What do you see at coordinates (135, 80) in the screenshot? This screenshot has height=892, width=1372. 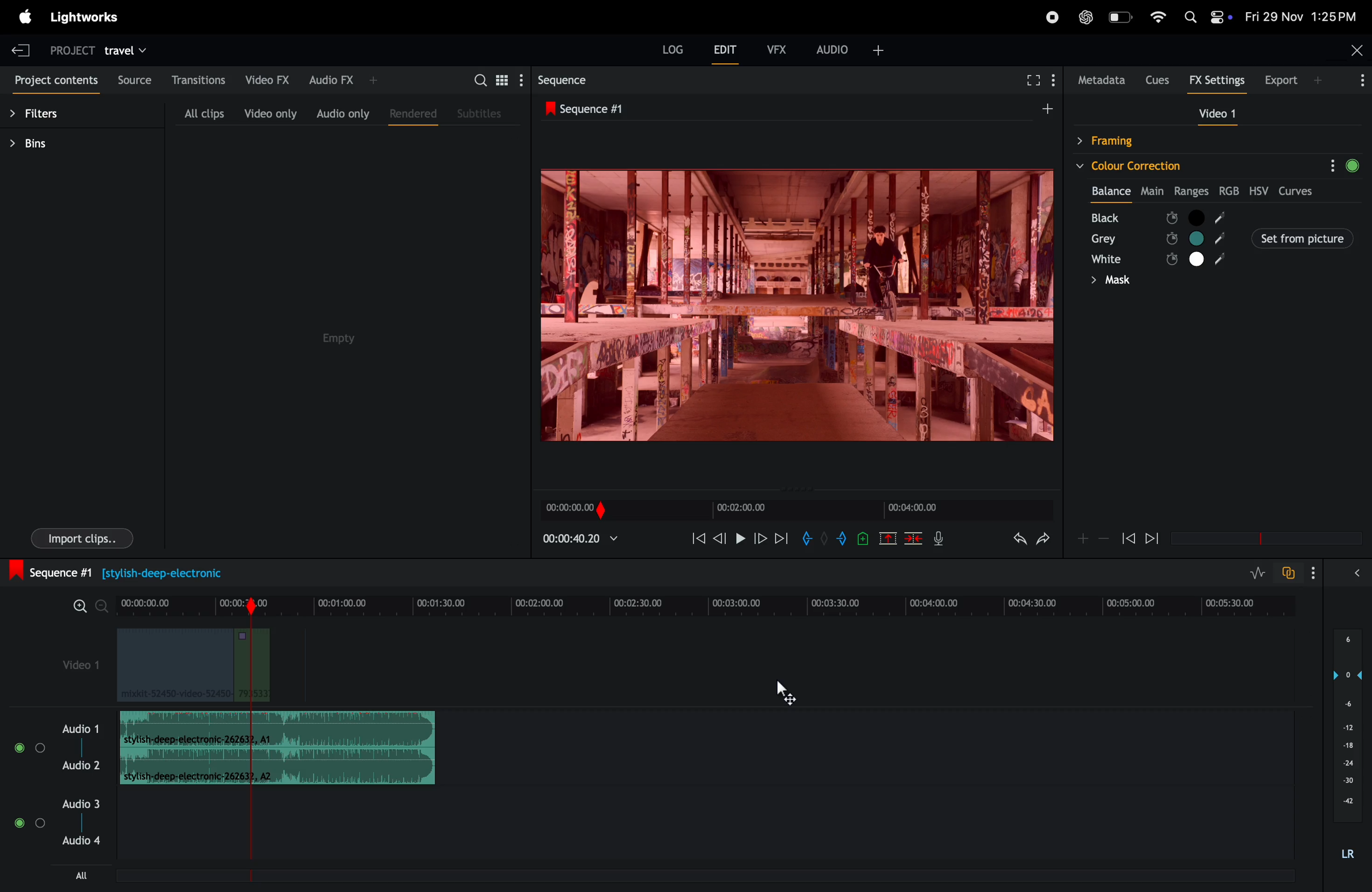 I see `source` at bounding box center [135, 80].